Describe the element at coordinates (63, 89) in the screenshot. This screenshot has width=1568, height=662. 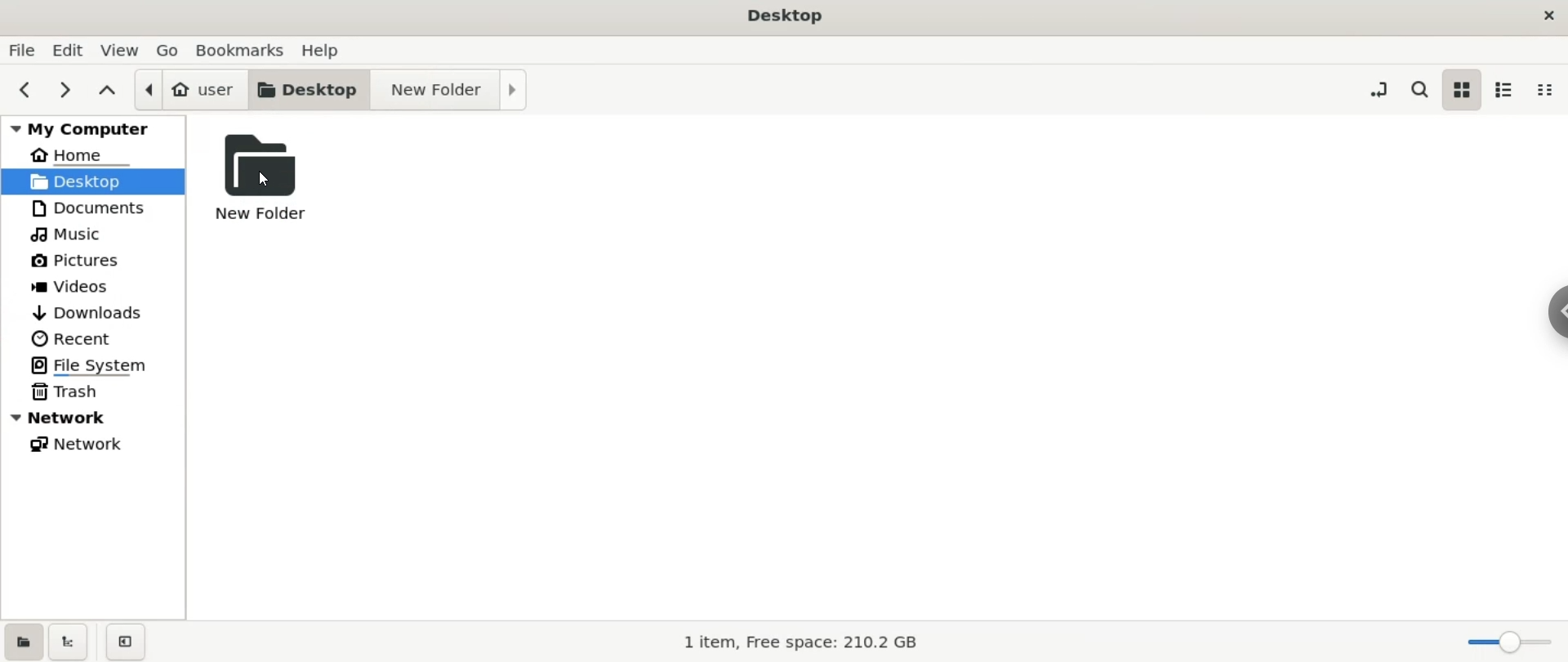
I see `next` at that location.